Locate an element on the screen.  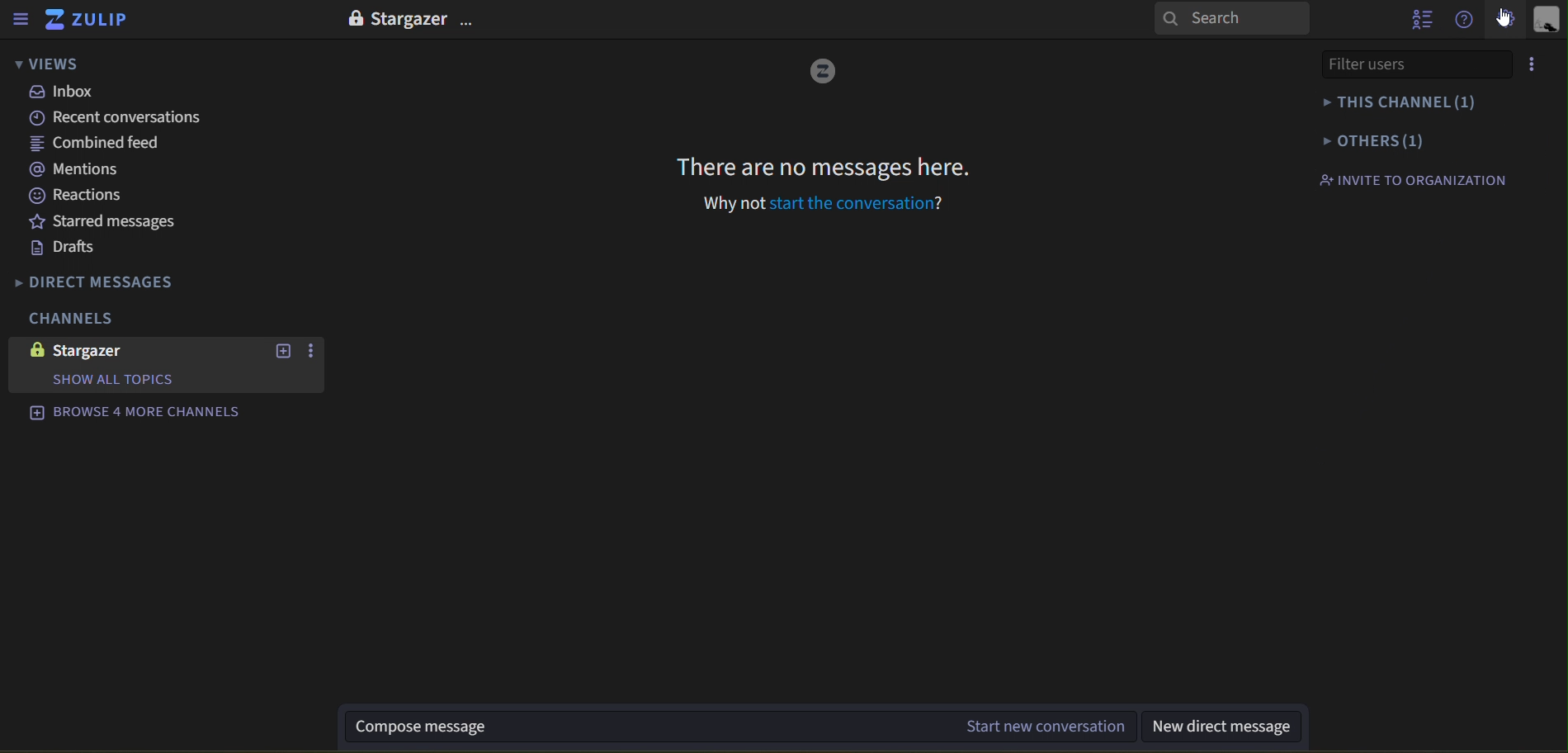
starred messages is located at coordinates (115, 222).